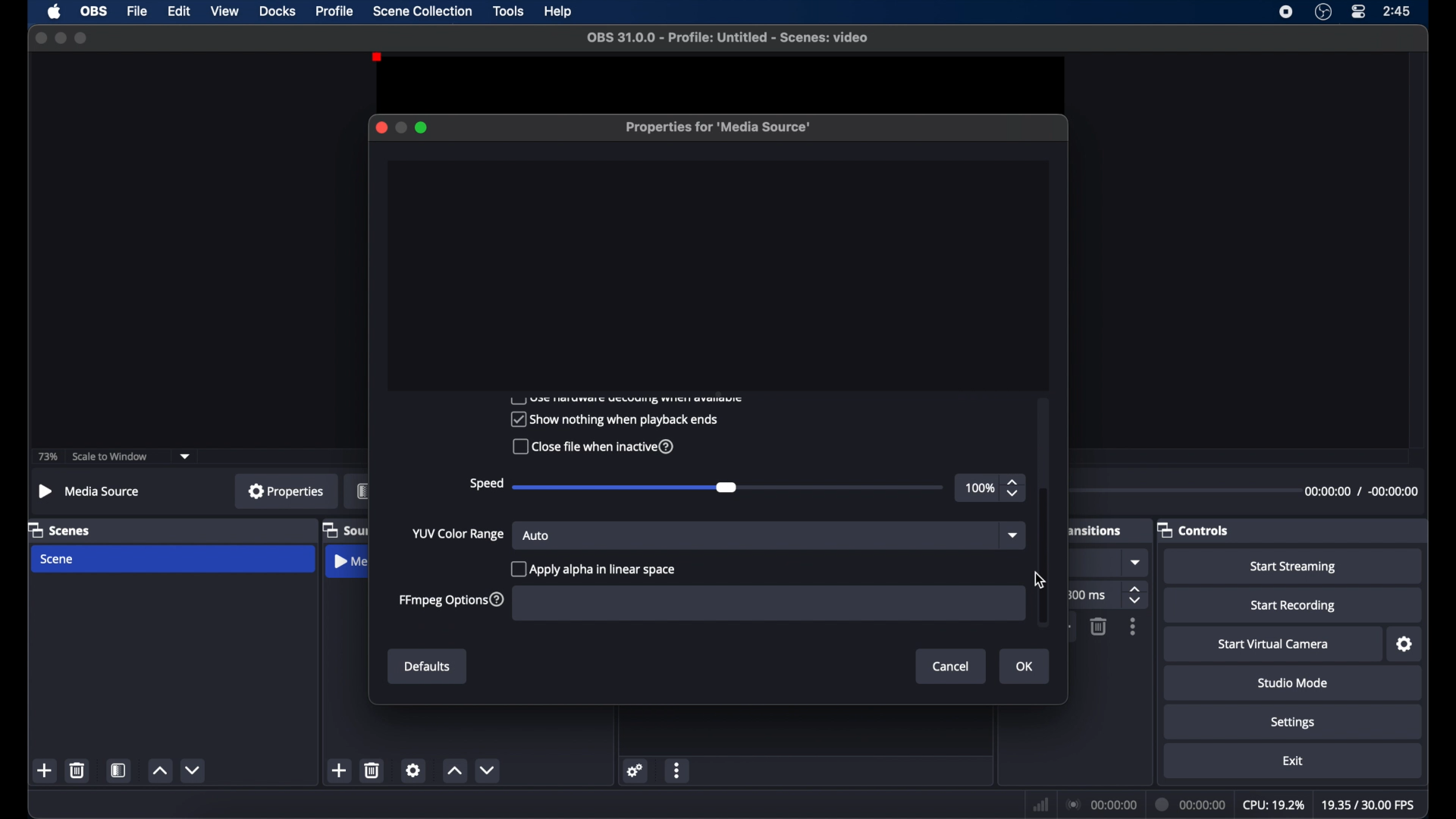  I want to click on scroll box, so click(1043, 556).